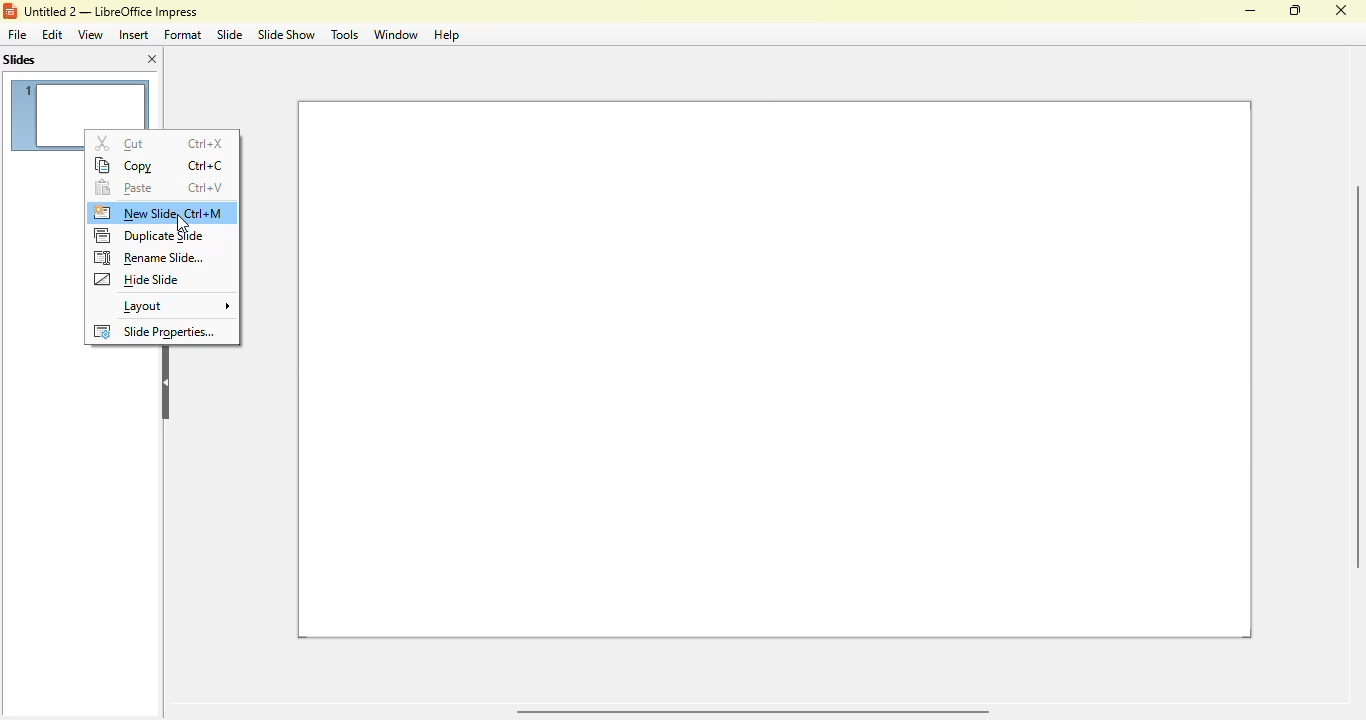 The height and width of the screenshot is (720, 1366). I want to click on slide 1, so click(775, 371).